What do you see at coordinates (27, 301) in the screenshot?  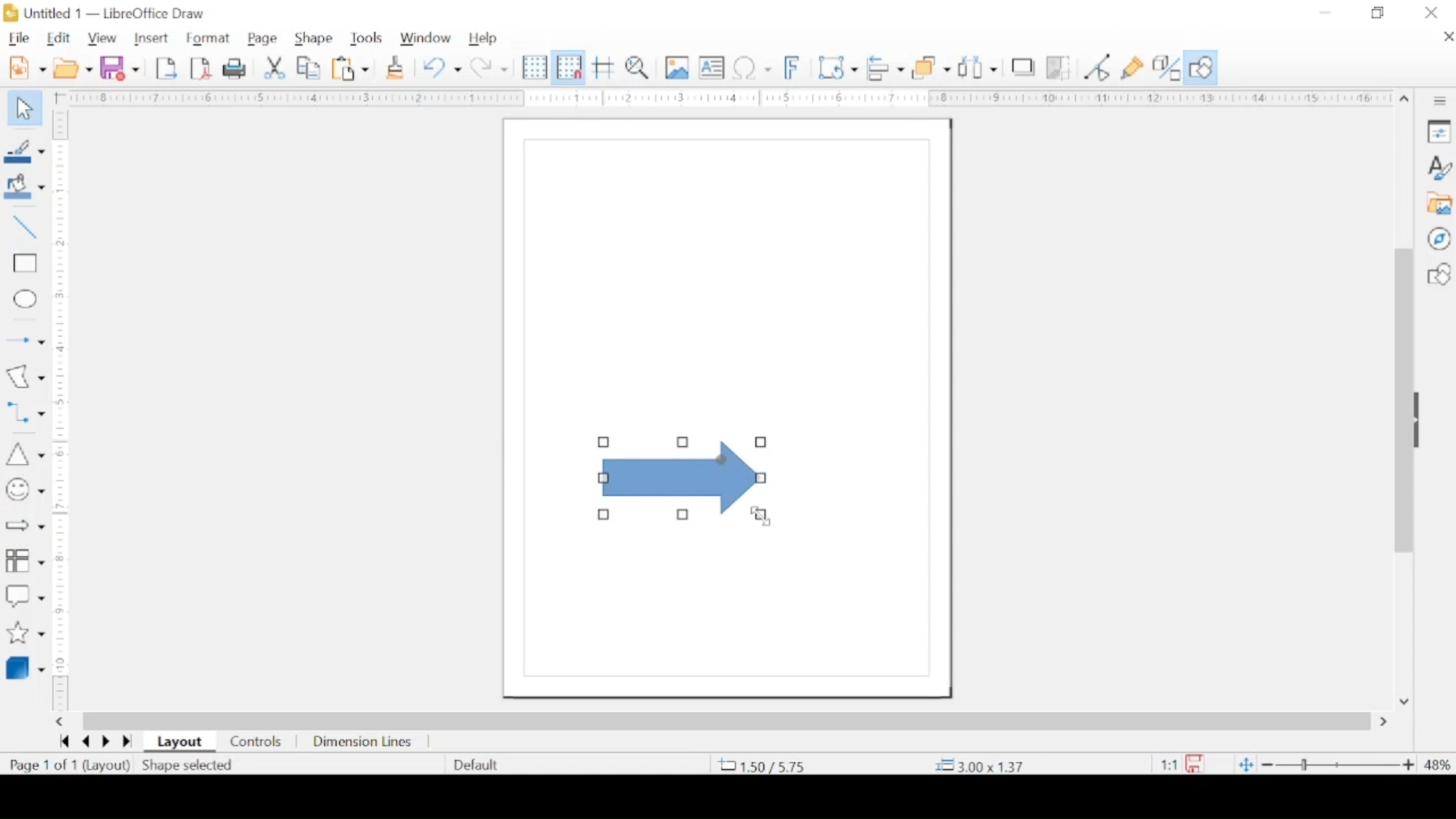 I see `ellipse` at bounding box center [27, 301].